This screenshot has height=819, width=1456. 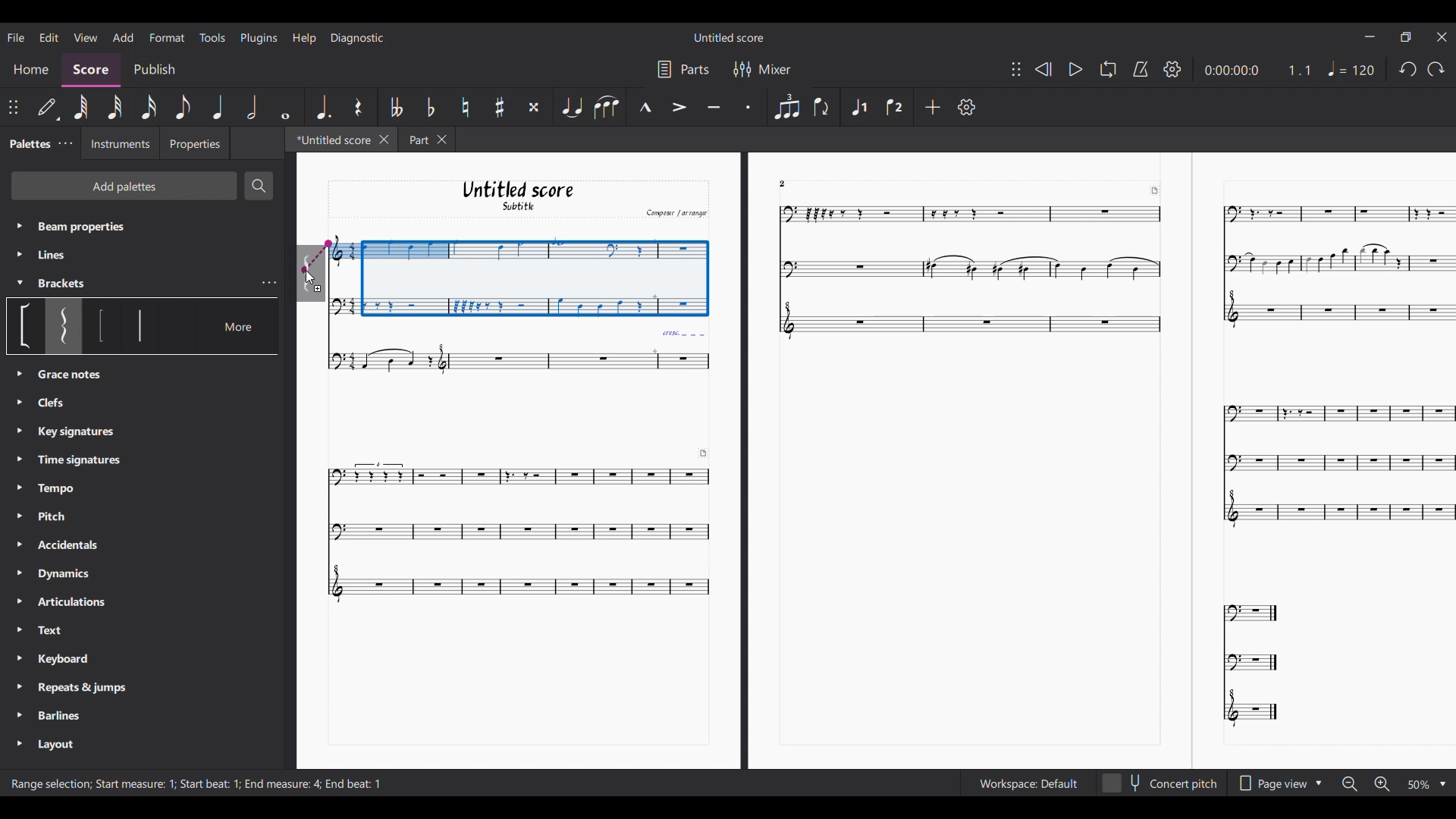 What do you see at coordinates (1258, 70) in the screenshot?
I see `Current duration and ratio` at bounding box center [1258, 70].